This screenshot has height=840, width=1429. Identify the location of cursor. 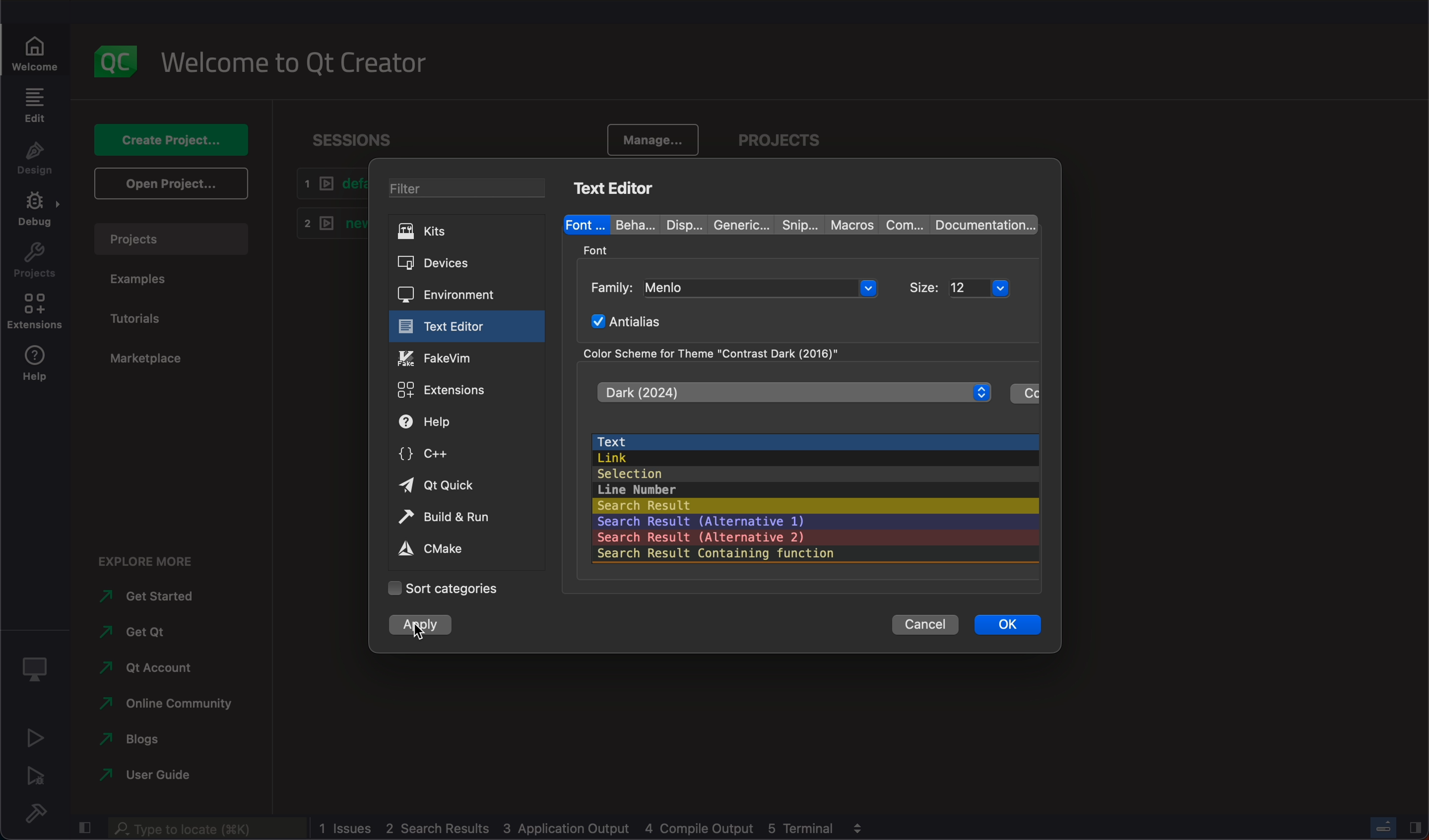
(417, 638).